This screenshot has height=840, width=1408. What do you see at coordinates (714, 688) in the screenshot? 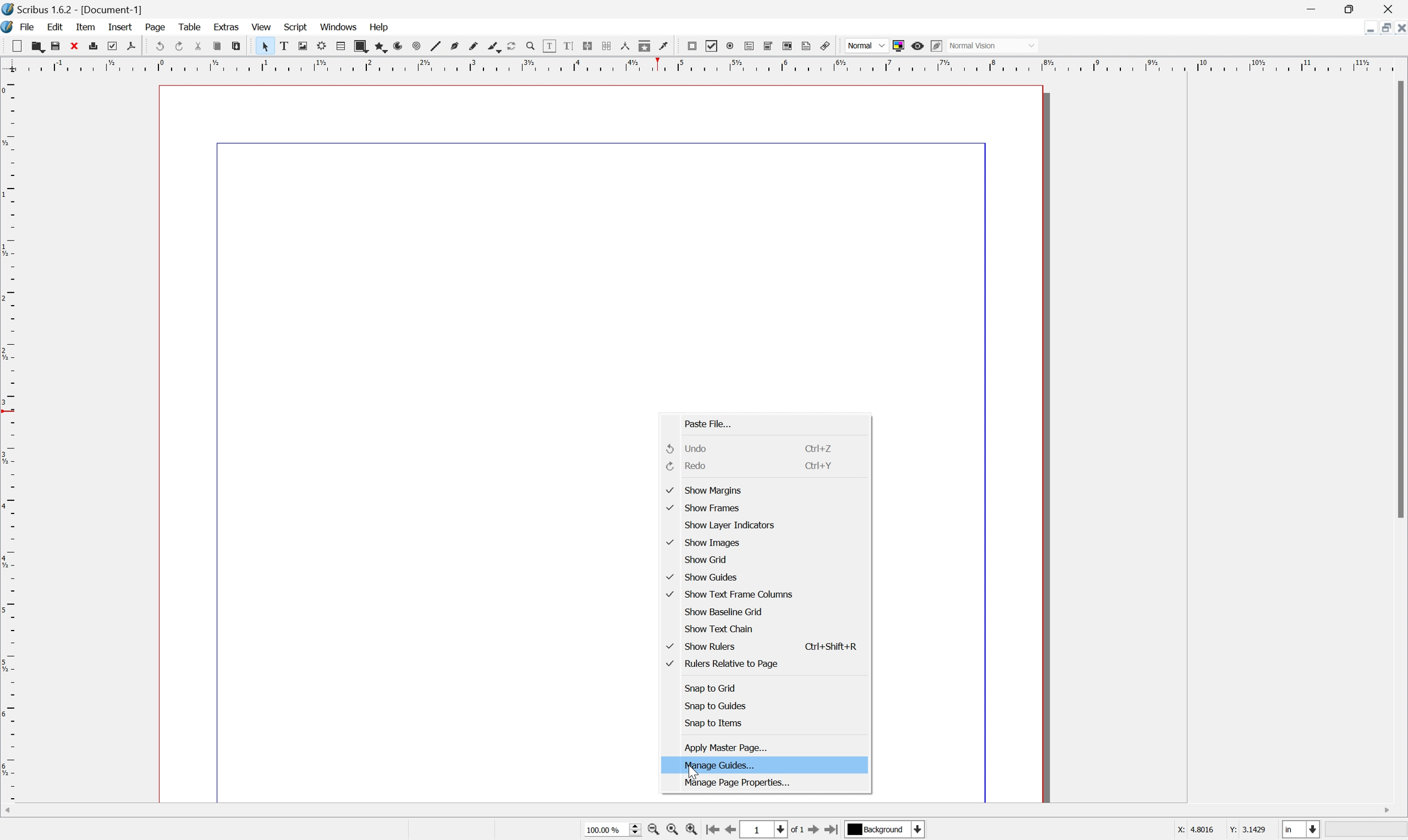
I see `snap to grid` at bounding box center [714, 688].